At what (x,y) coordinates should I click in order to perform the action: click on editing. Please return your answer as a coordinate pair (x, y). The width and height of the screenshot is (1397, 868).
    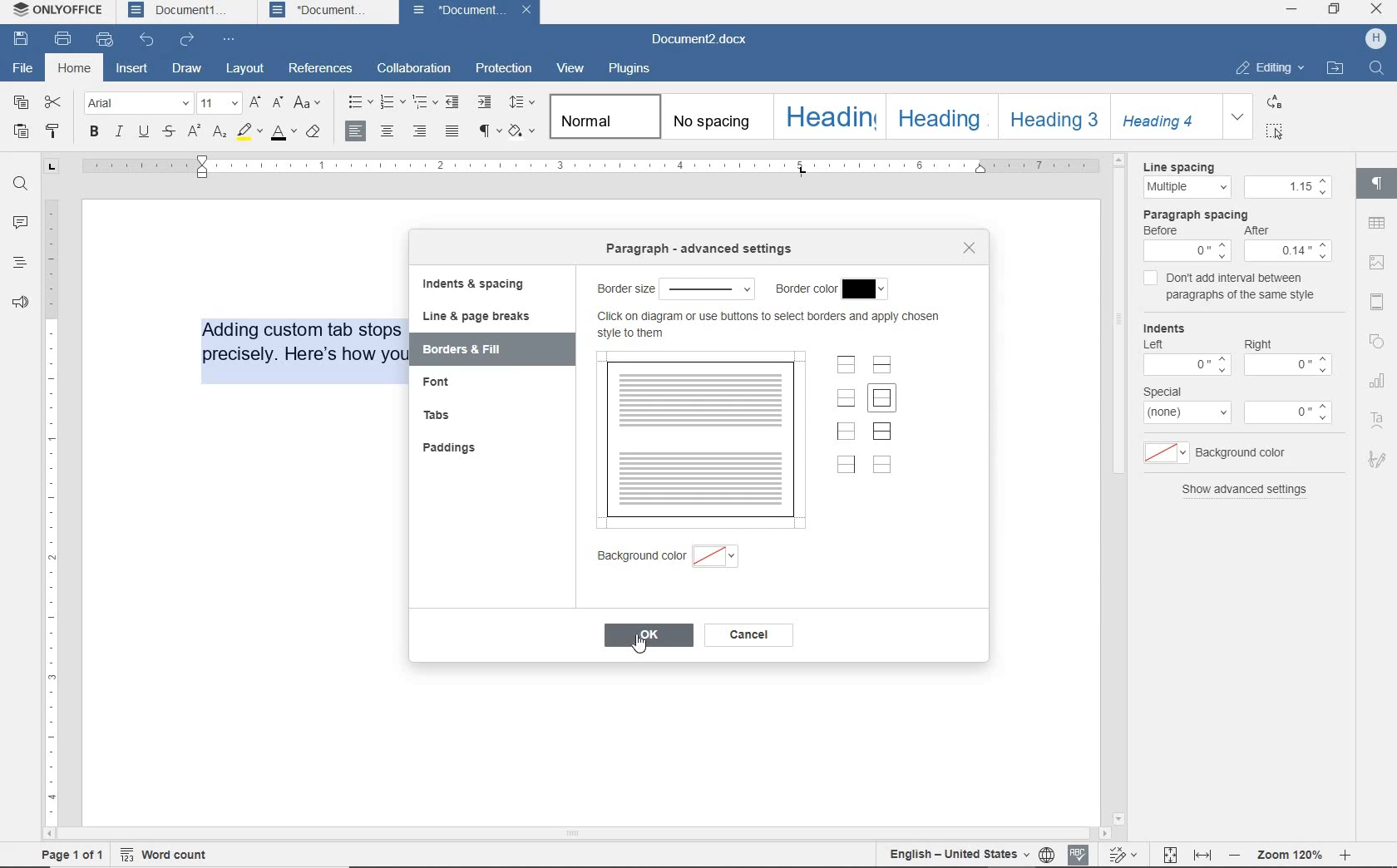
    Looking at the image, I should click on (1267, 69).